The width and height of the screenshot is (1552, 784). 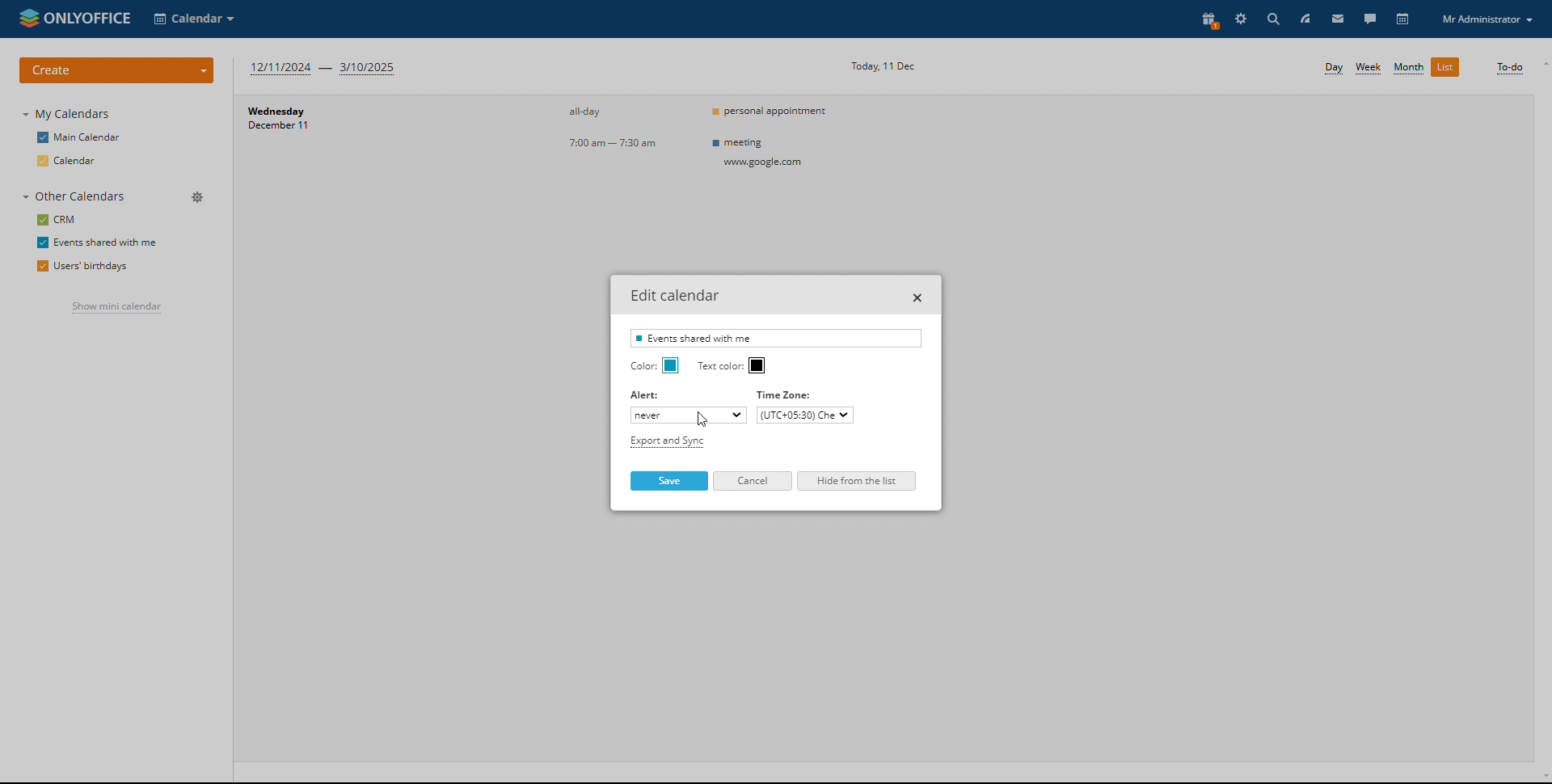 I want to click on profile, so click(x=1487, y=19).